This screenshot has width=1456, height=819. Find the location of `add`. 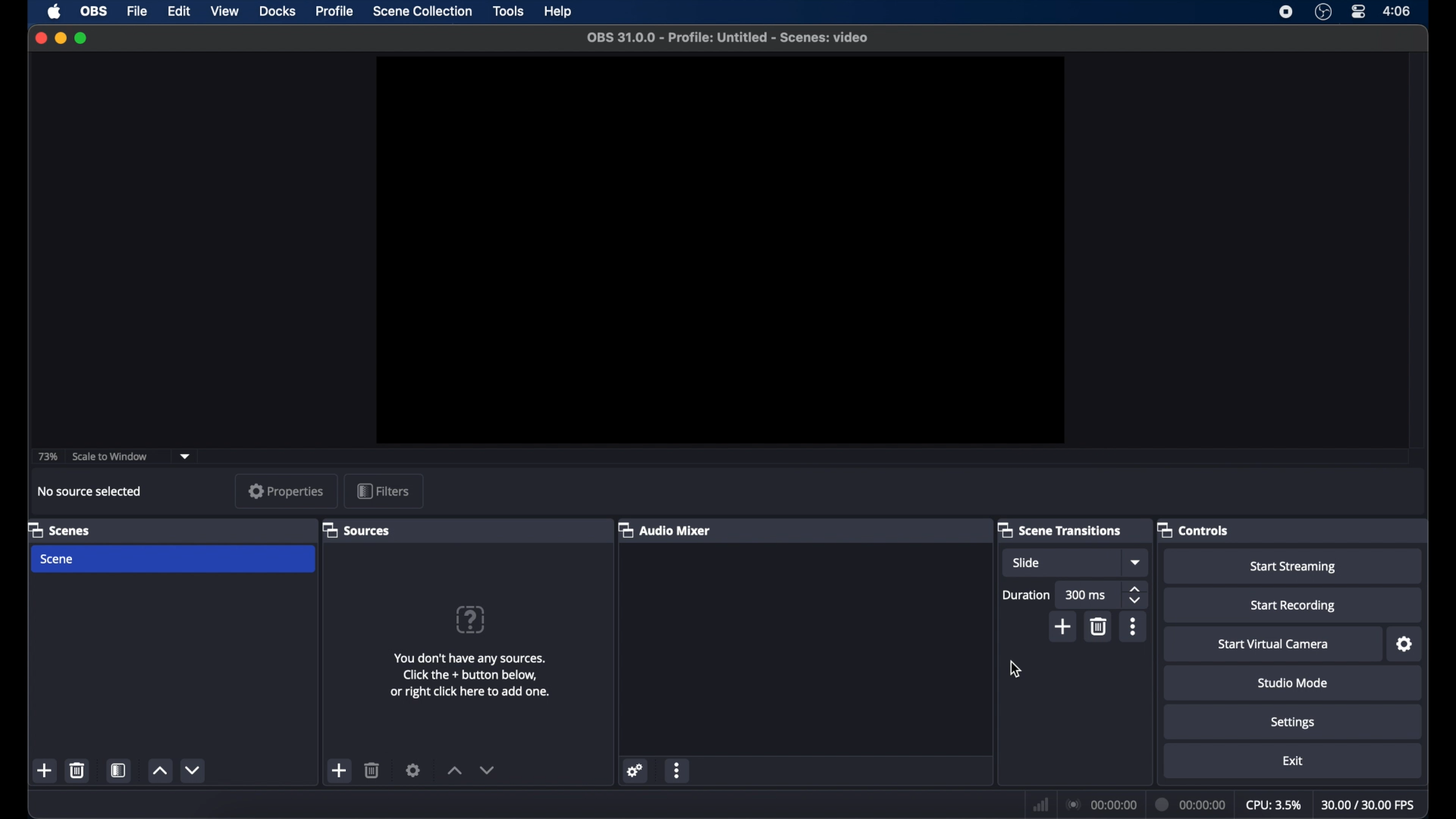

add is located at coordinates (1064, 627).